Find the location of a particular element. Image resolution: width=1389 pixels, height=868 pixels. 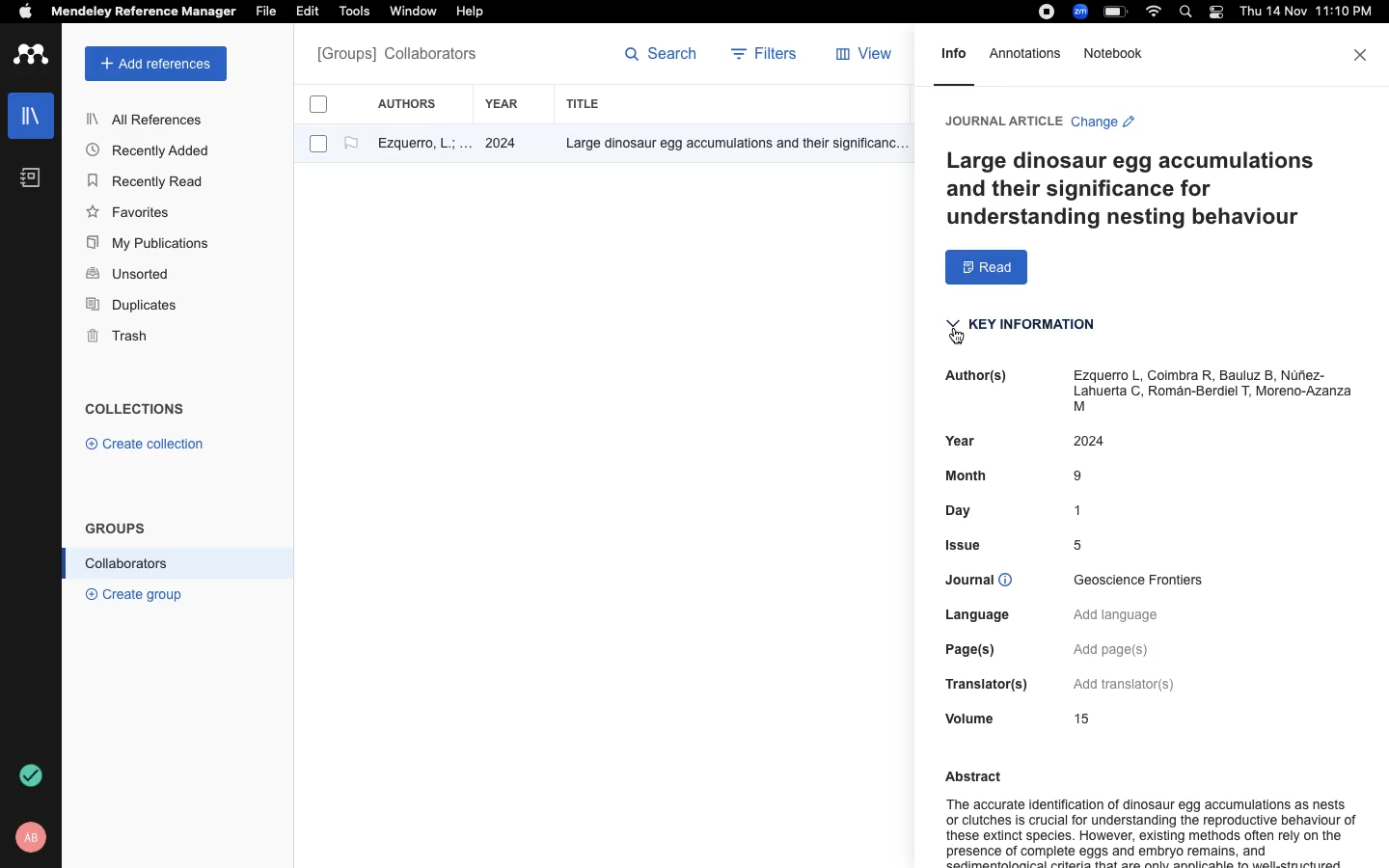

Volume is located at coordinates (965, 719).